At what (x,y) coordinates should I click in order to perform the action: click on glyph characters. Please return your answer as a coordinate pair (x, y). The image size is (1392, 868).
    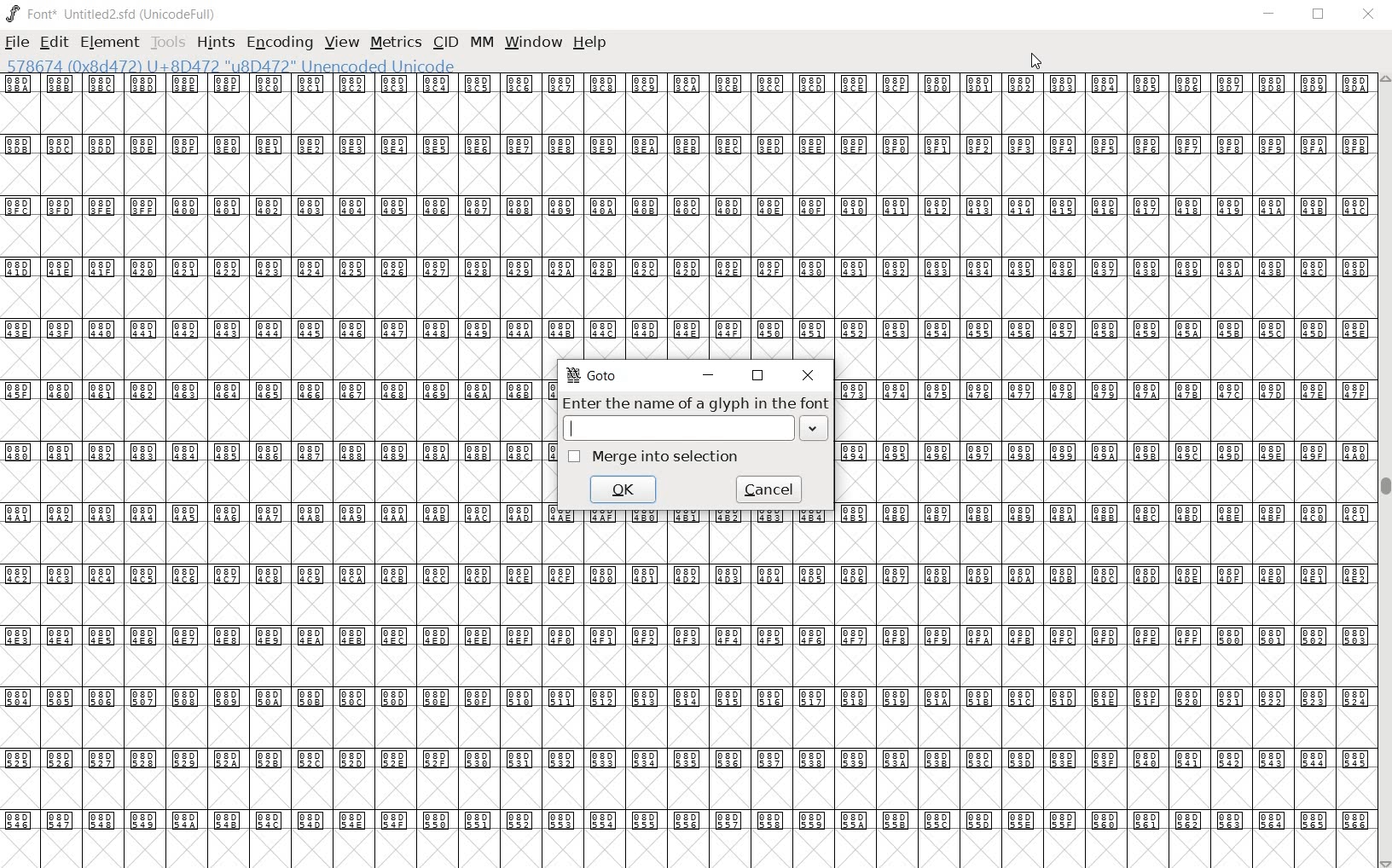
    Looking at the image, I should click on (270, 472).